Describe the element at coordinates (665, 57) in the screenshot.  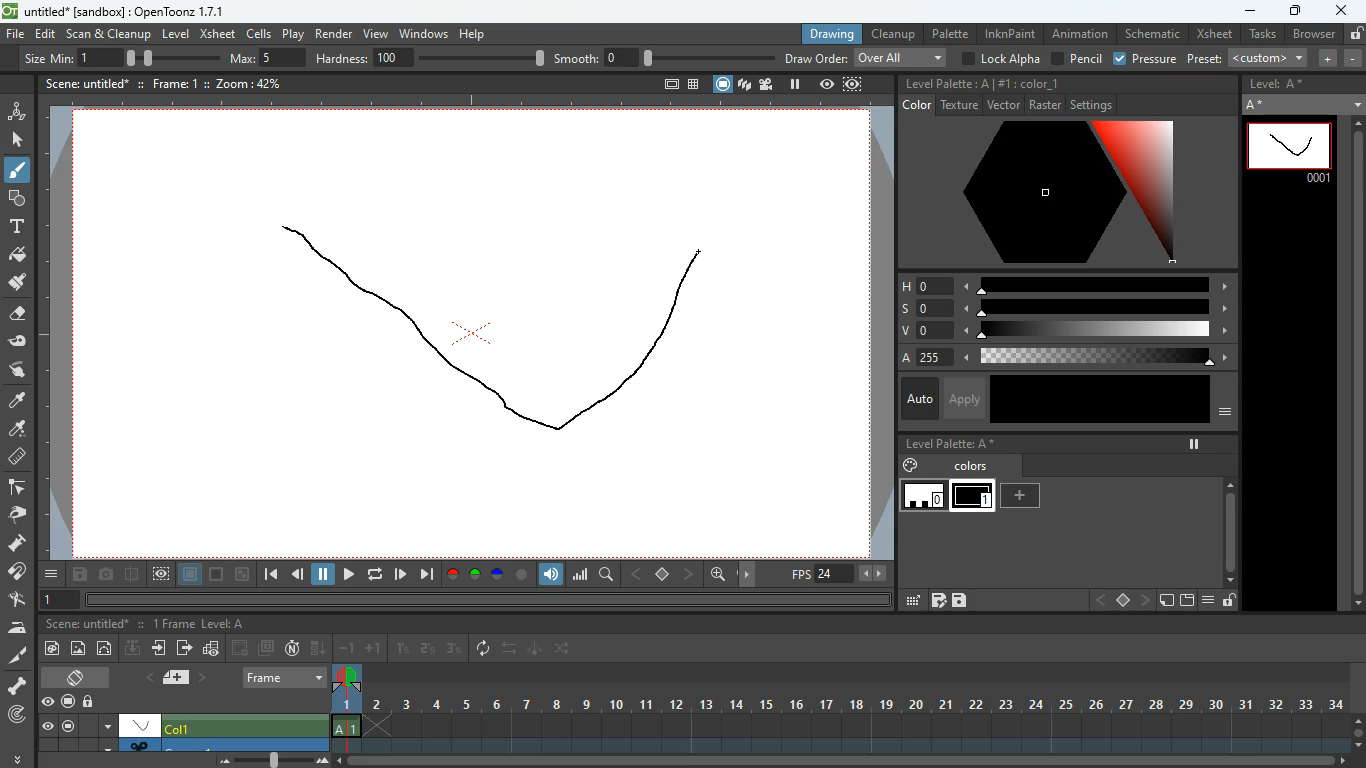
I see `smooth` at that location.